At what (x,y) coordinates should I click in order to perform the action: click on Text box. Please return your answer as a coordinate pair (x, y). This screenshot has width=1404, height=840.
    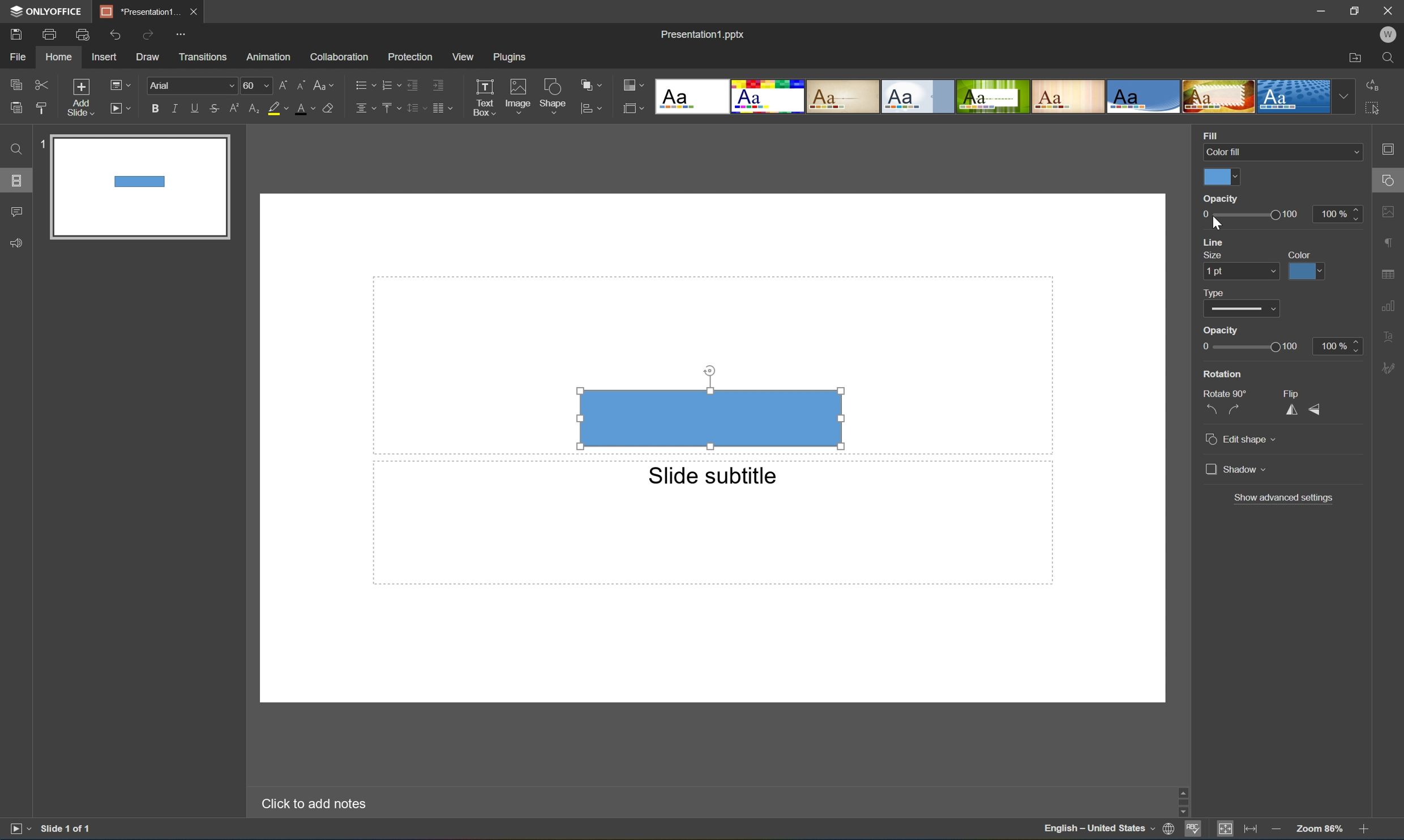
    Looking at the image, I should click on (485, 97).